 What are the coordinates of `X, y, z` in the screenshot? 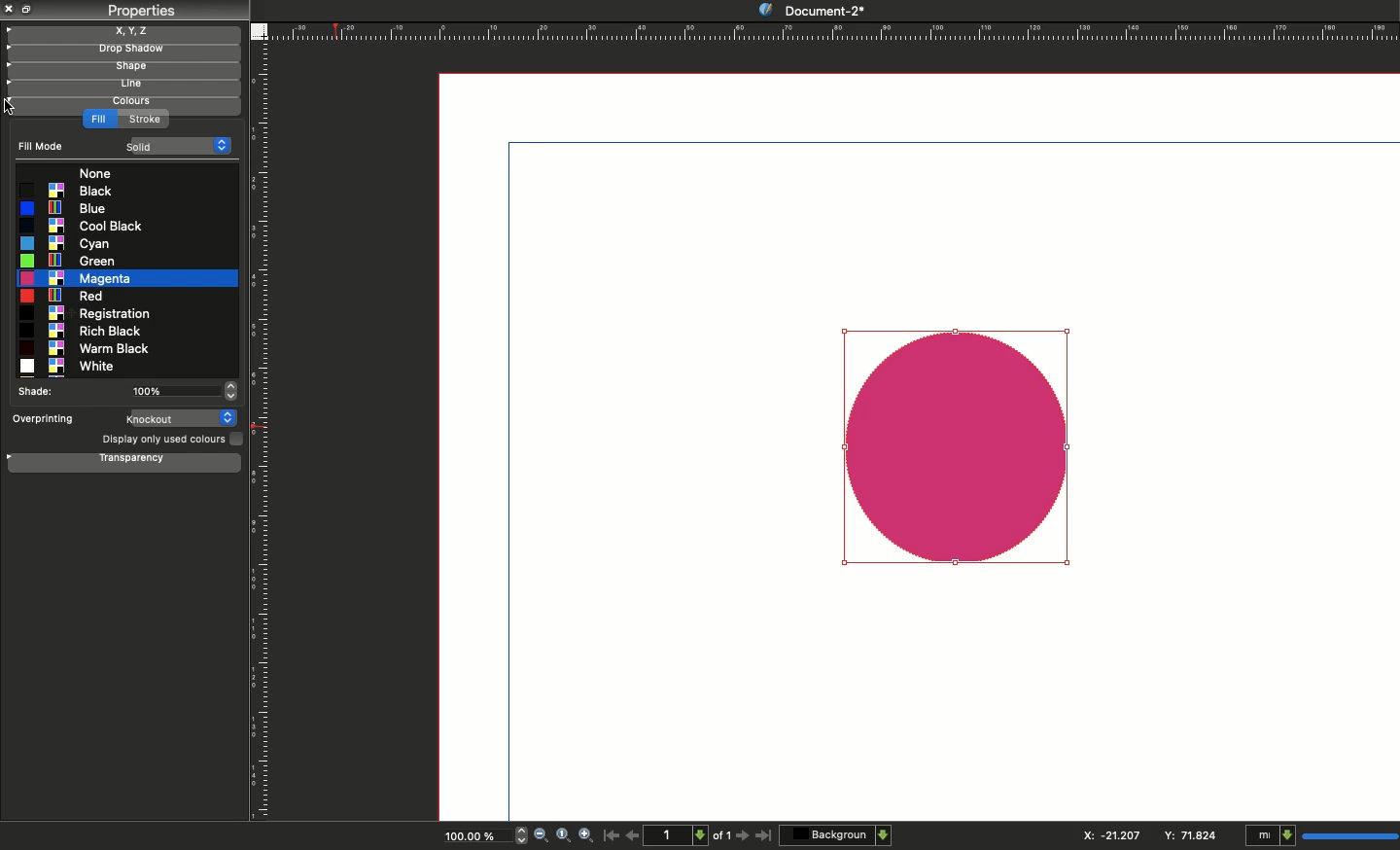 It's located at (123, 31).